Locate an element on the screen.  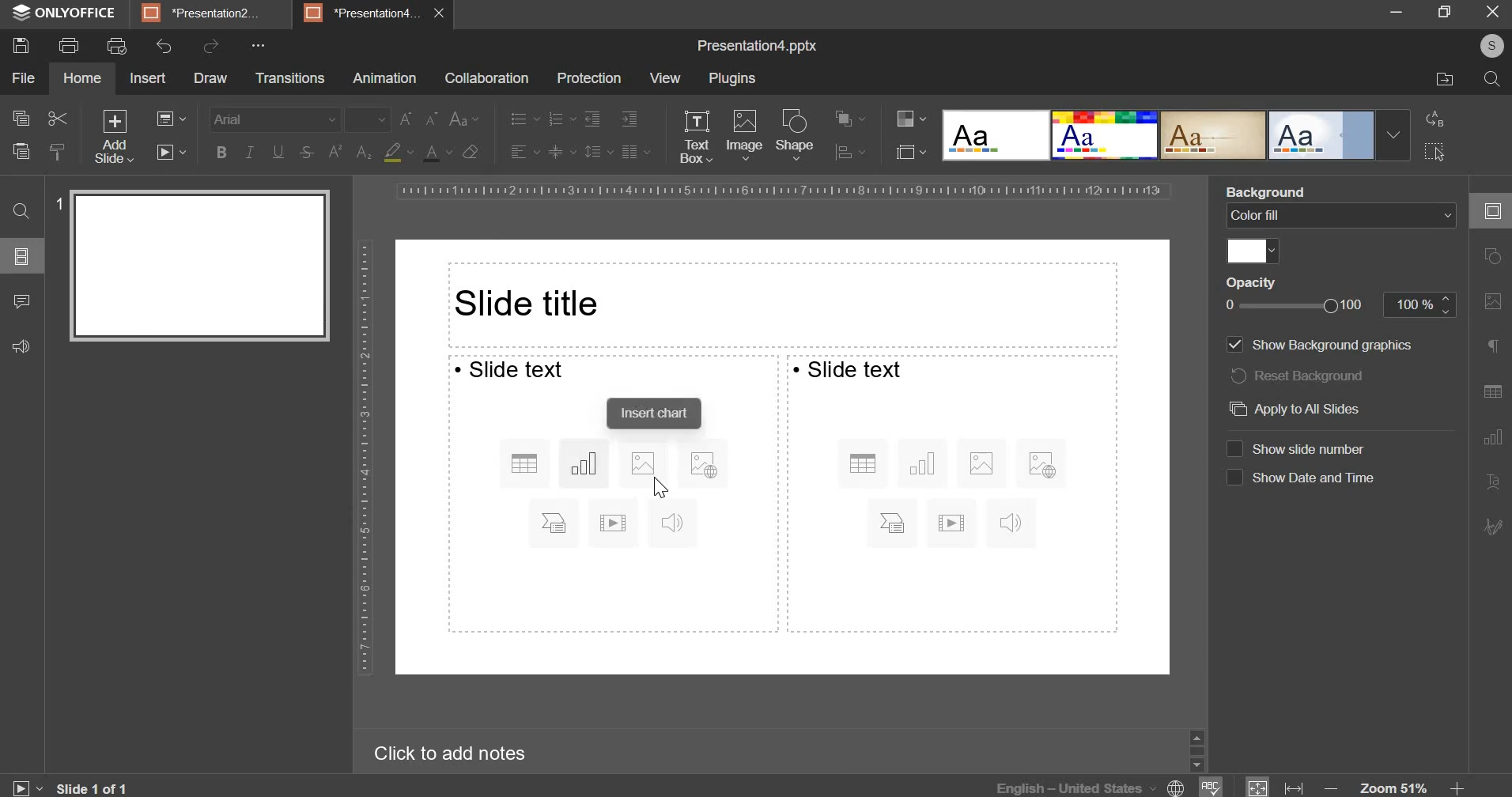
cut is located at coordinates (57, 119).